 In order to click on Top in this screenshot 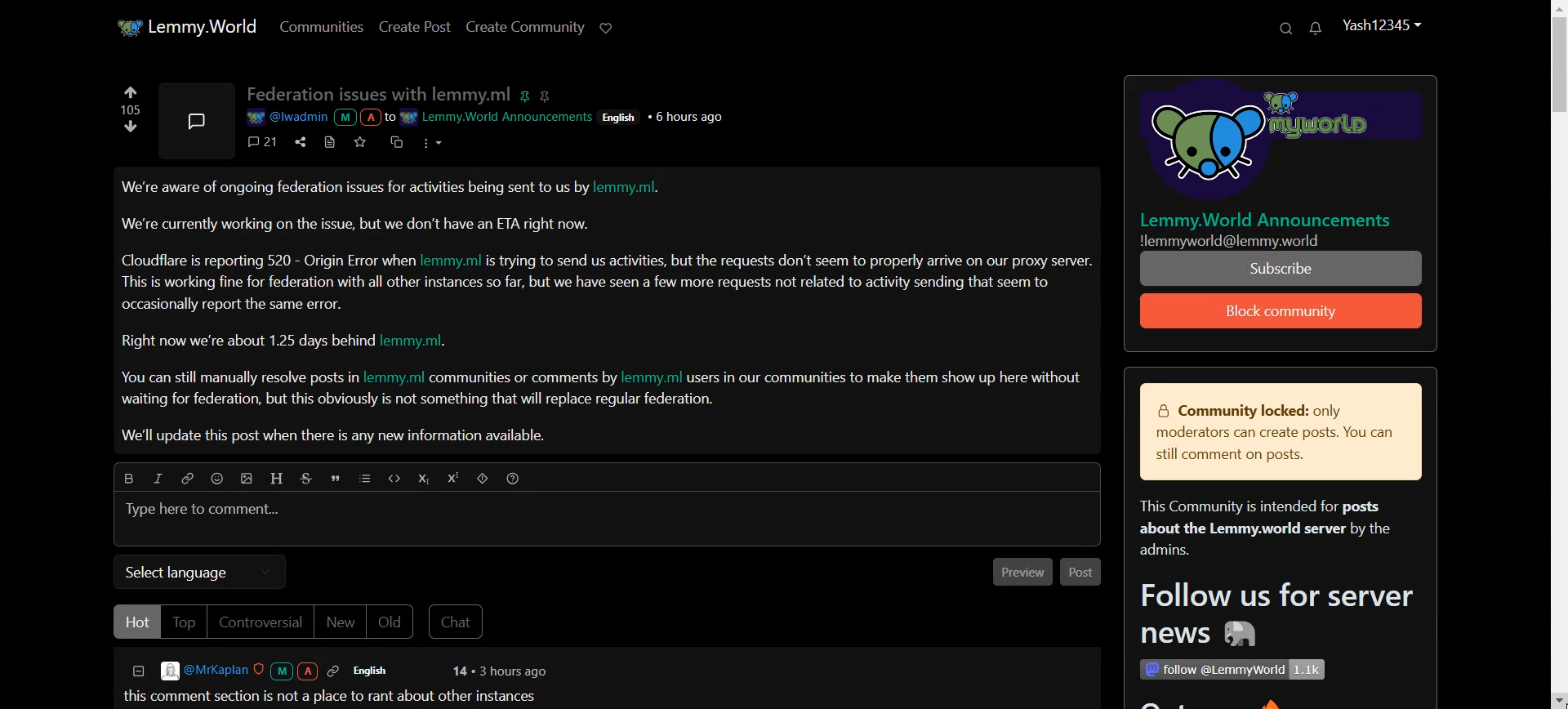, I will do `click(183, 621)`.